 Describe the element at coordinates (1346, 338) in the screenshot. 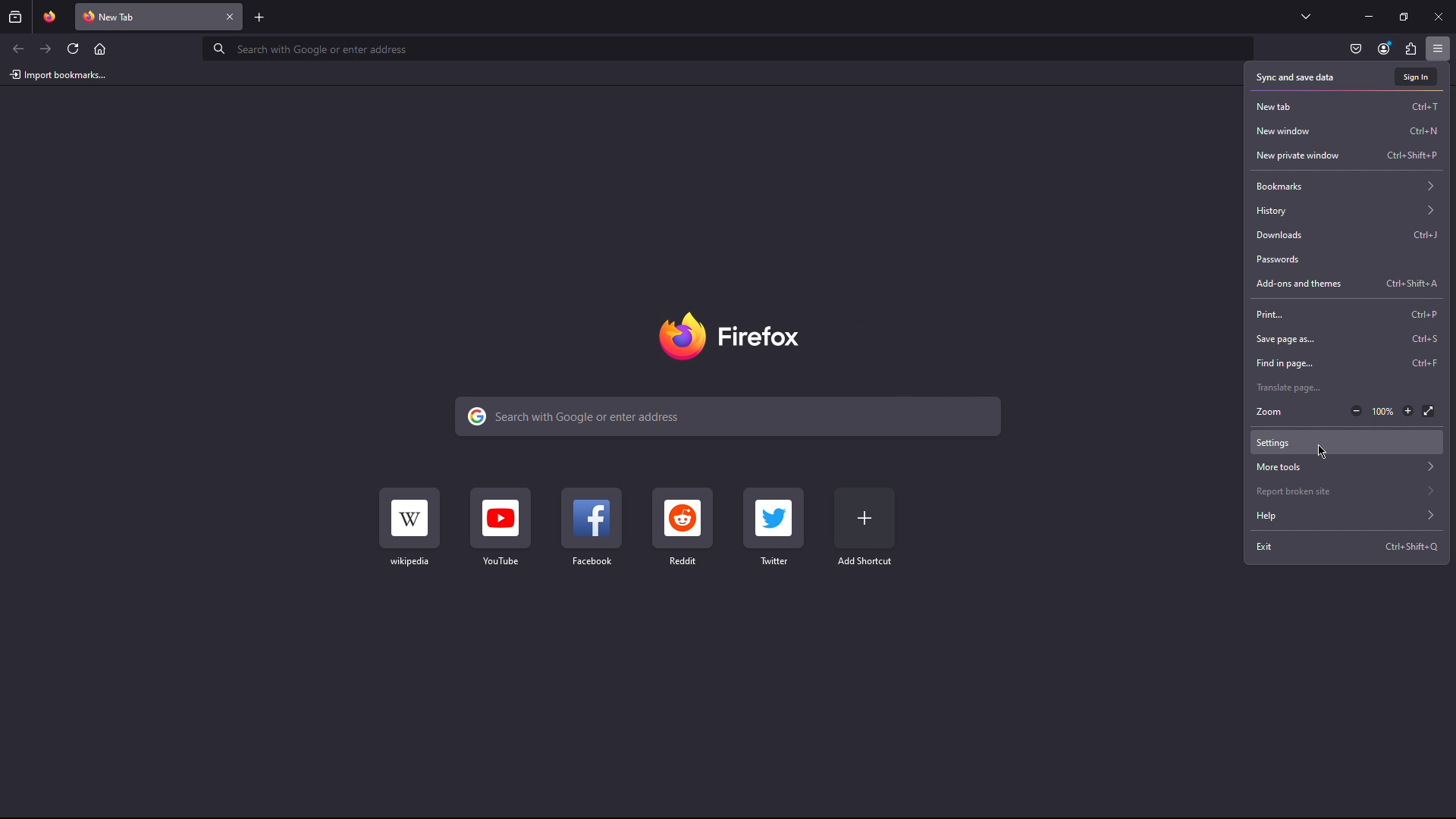

I see `Save page as` at that location.